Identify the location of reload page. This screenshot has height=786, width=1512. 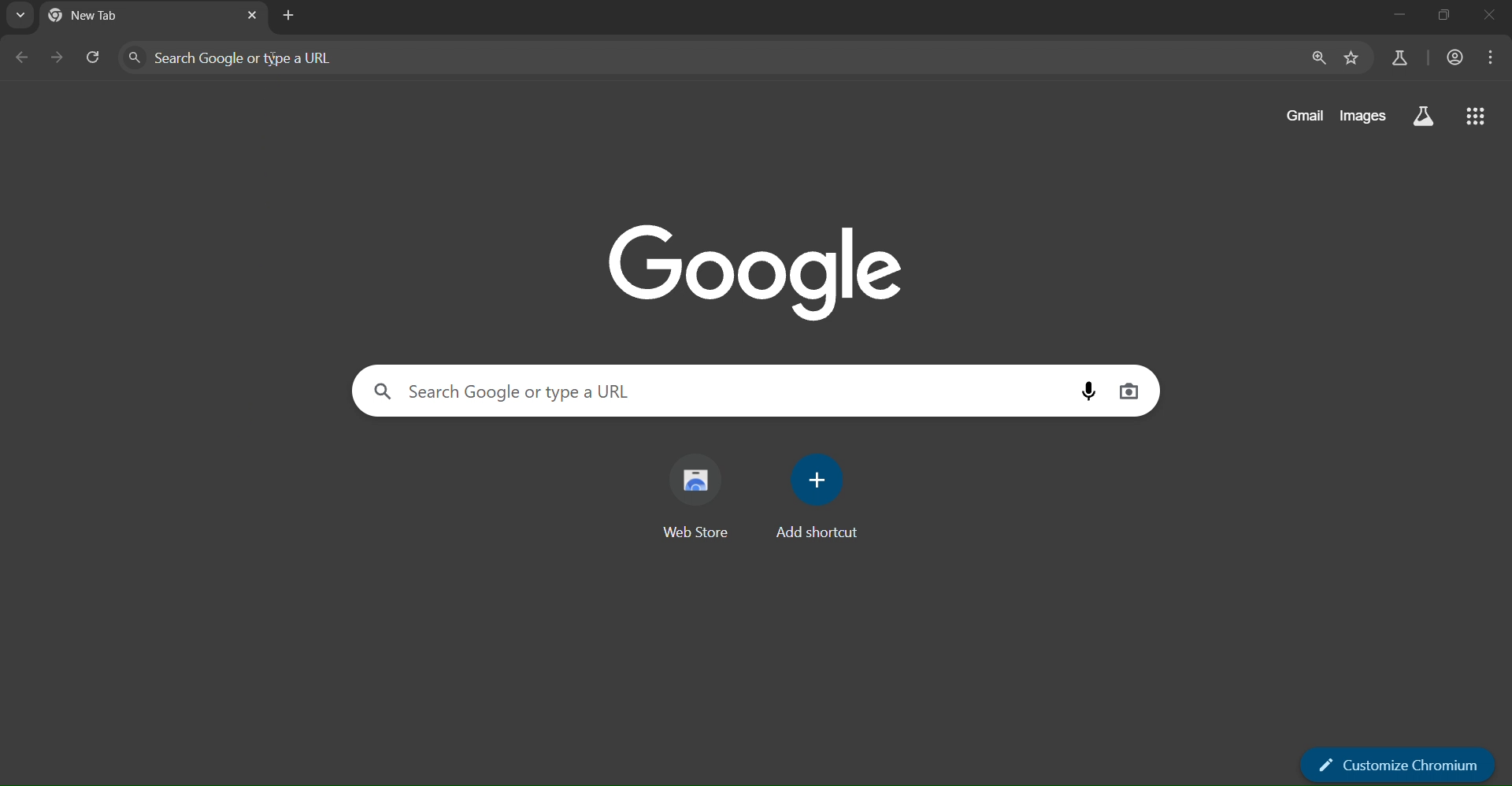
(91, 54).